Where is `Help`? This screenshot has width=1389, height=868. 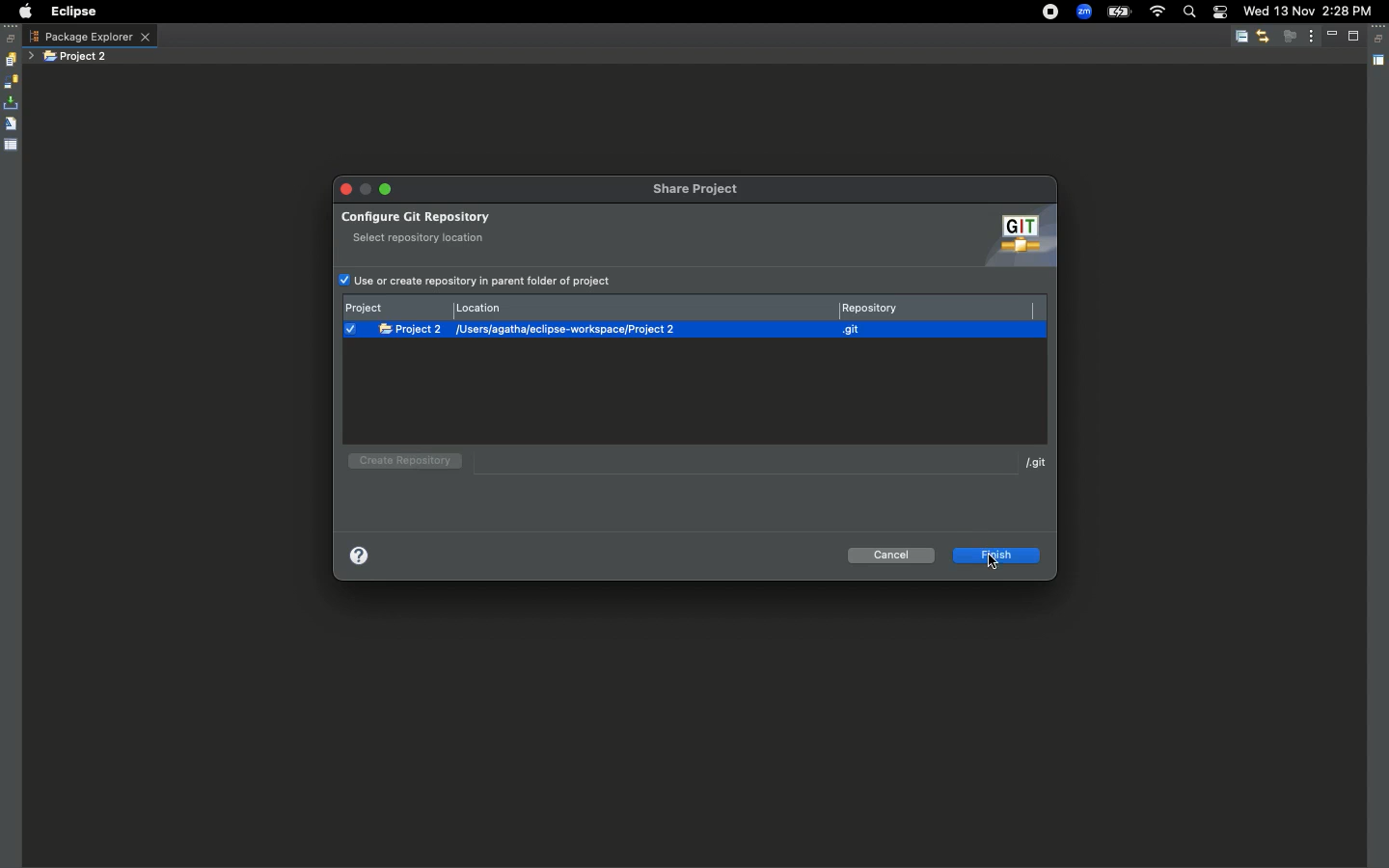
Help is located at coordinates (363, 556).